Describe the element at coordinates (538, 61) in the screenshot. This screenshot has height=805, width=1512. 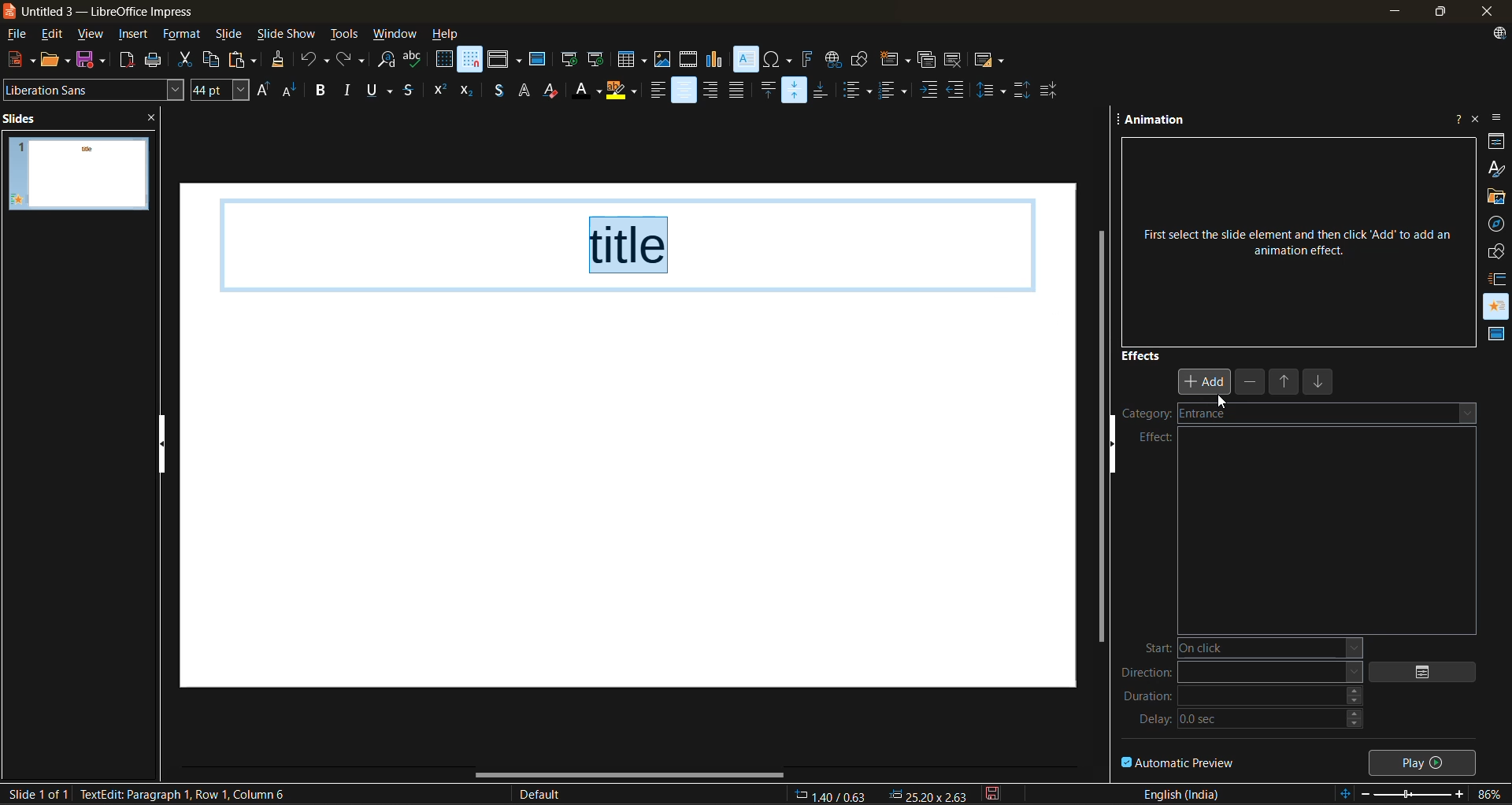
I see `master slide` at that location.